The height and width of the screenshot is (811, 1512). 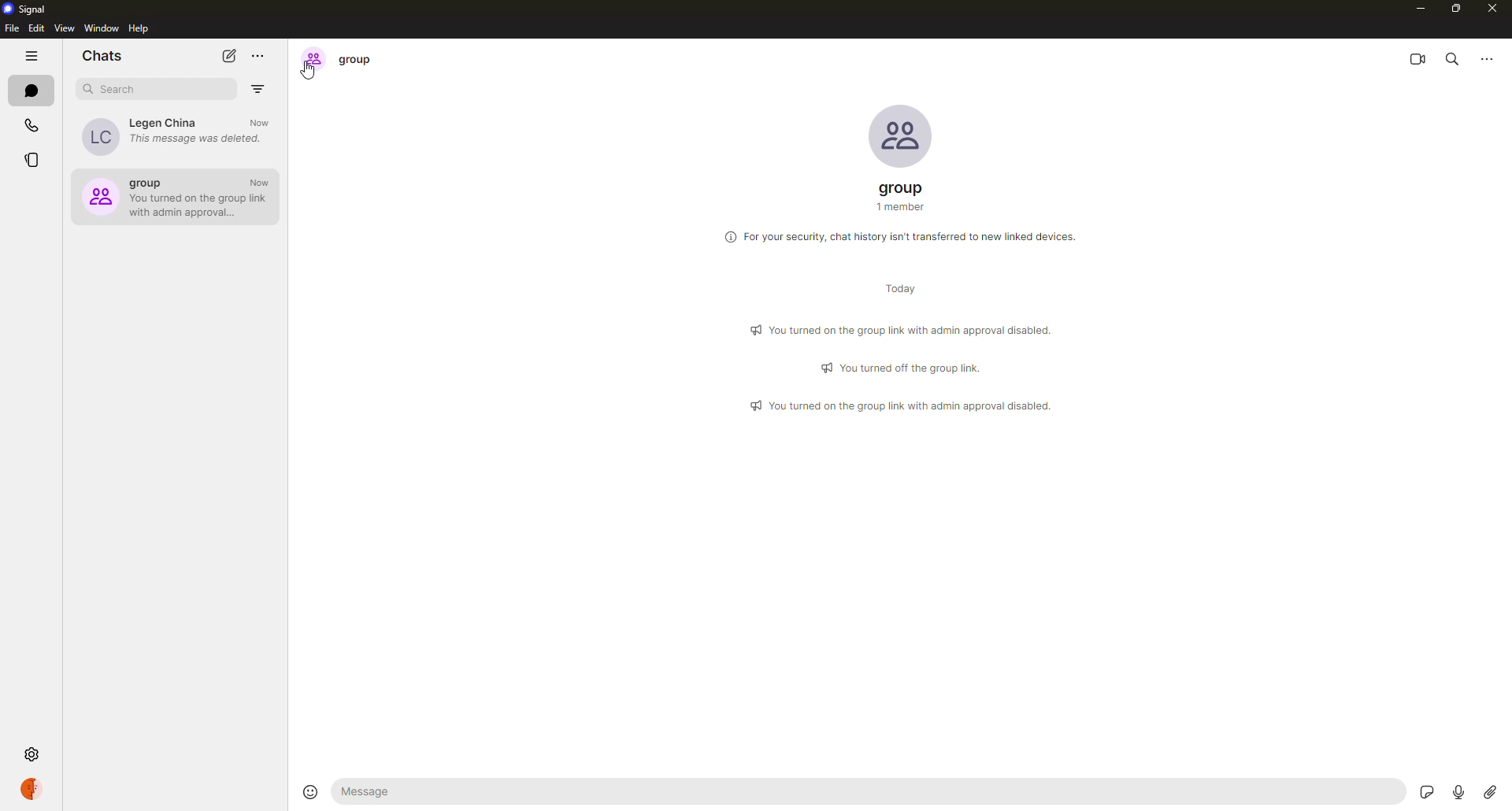 I want to click on hide tabs, so click(x=33, y=57).